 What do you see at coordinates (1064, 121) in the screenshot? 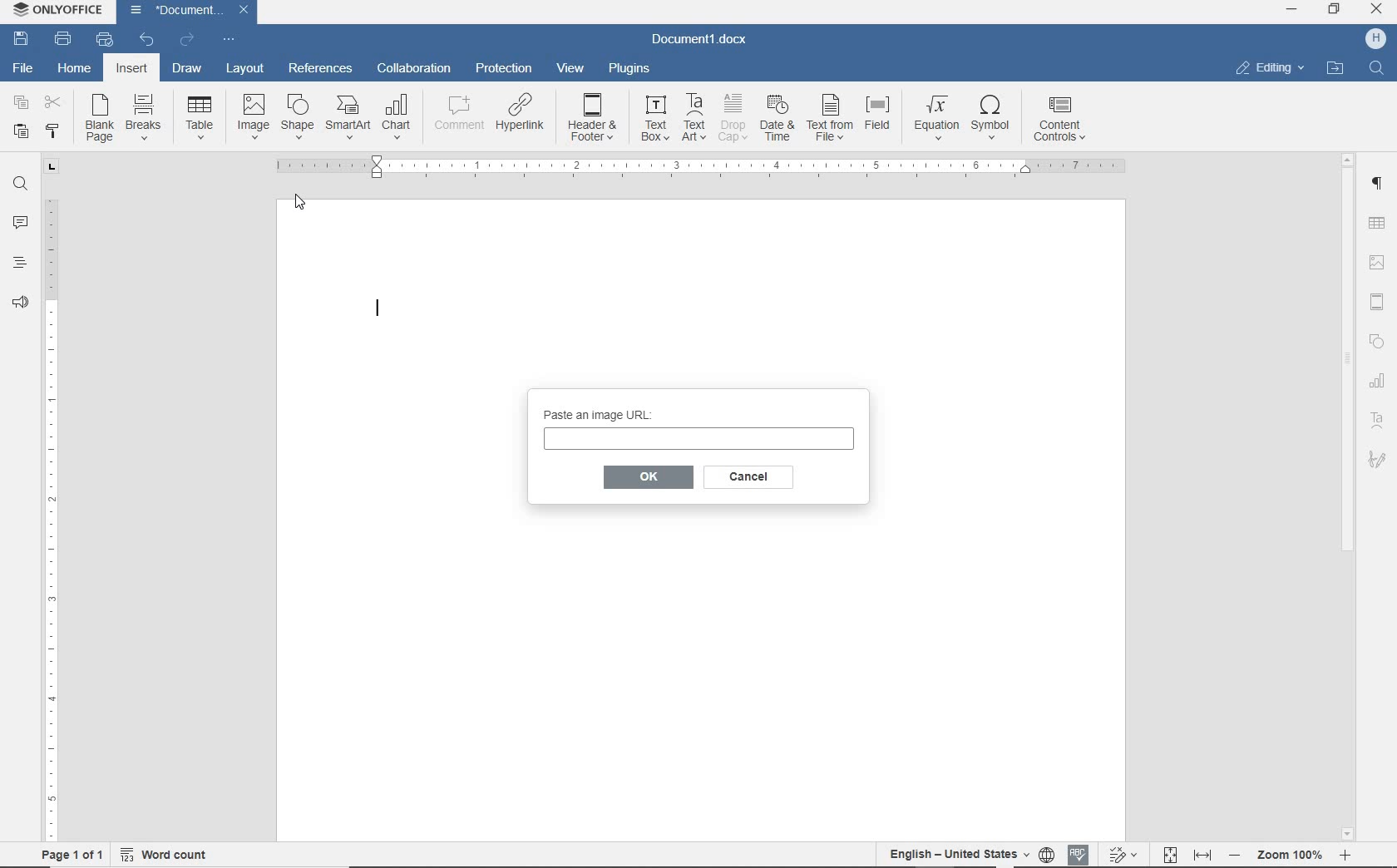
I see `content controls` at bounding box center [1064, 121].